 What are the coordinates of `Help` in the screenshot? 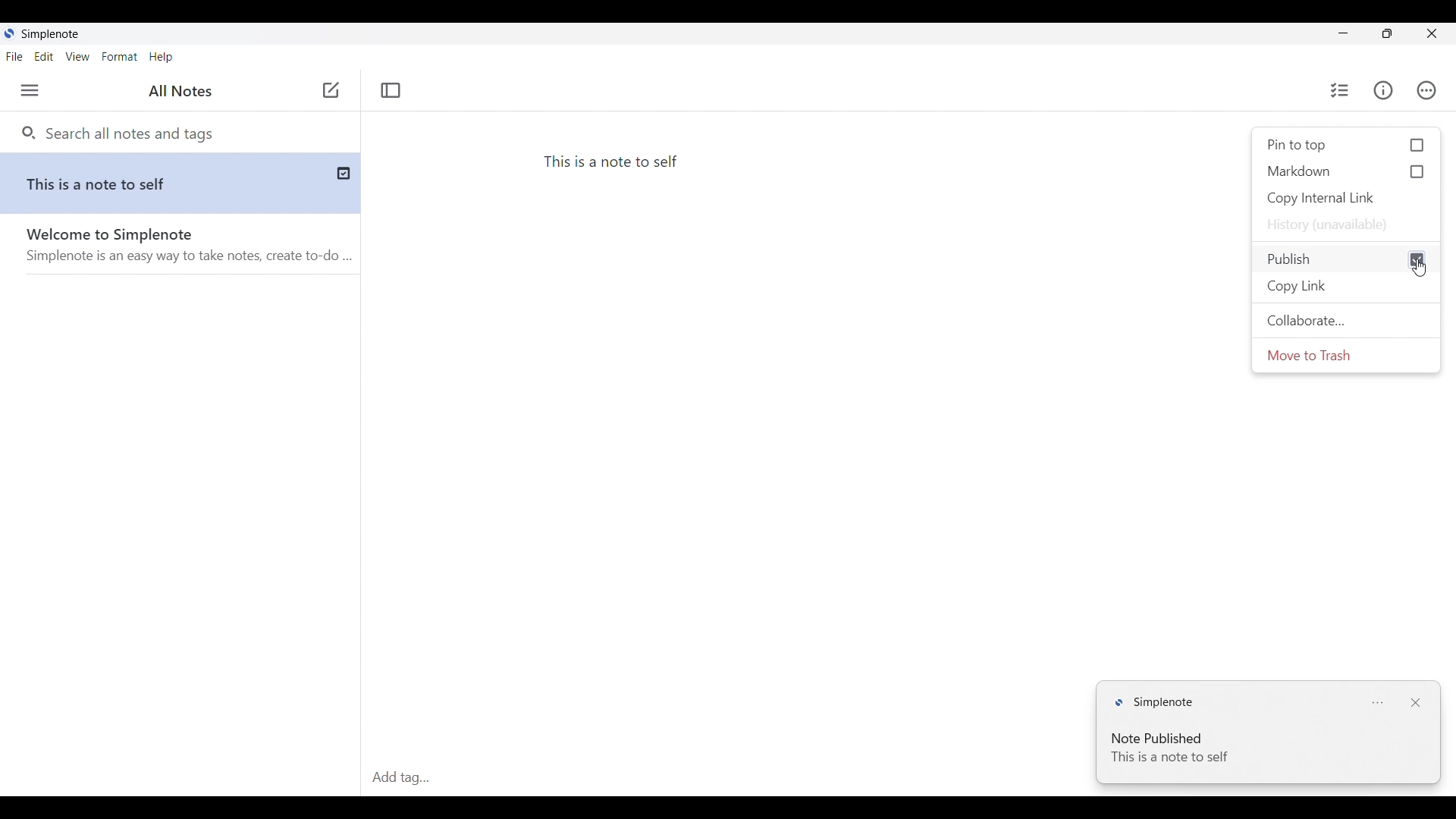 It's located at (161, 58).